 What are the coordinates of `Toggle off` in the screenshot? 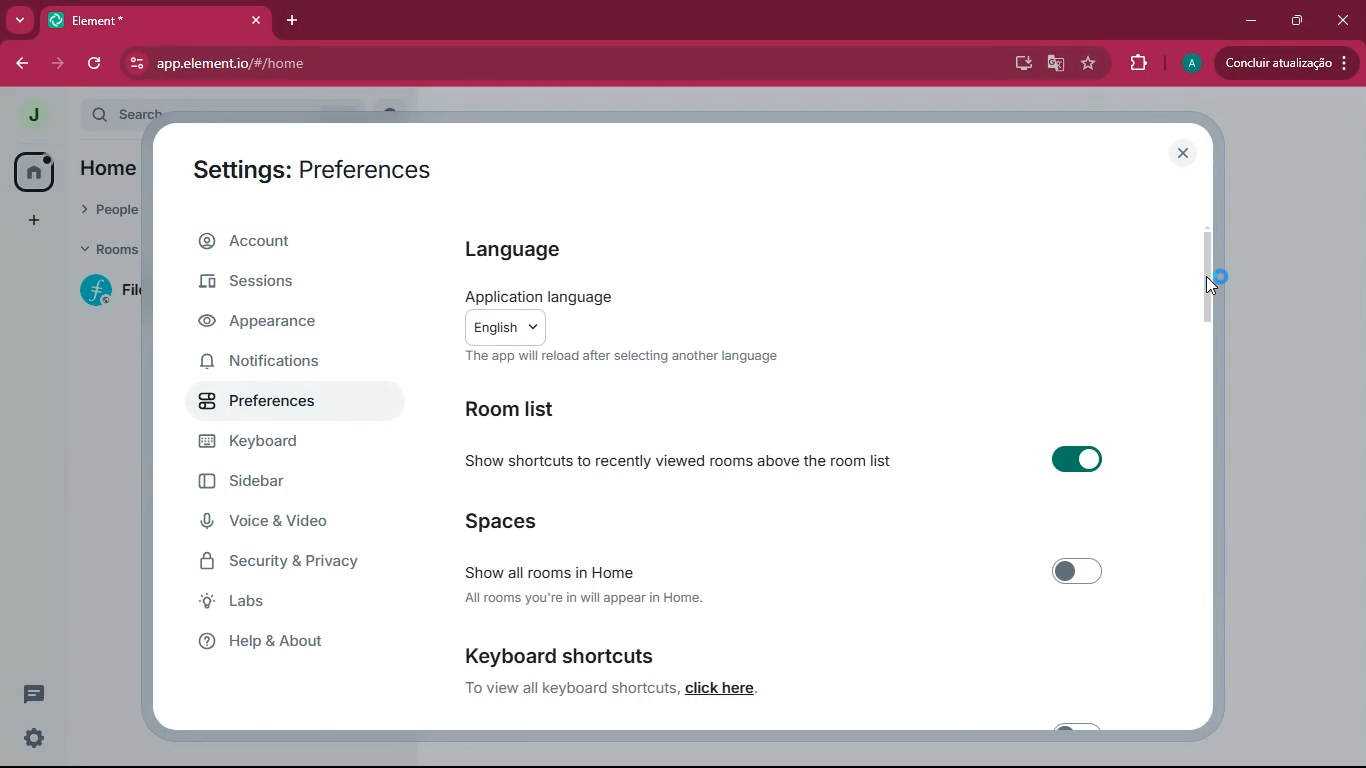 It's located at (1076, 569).